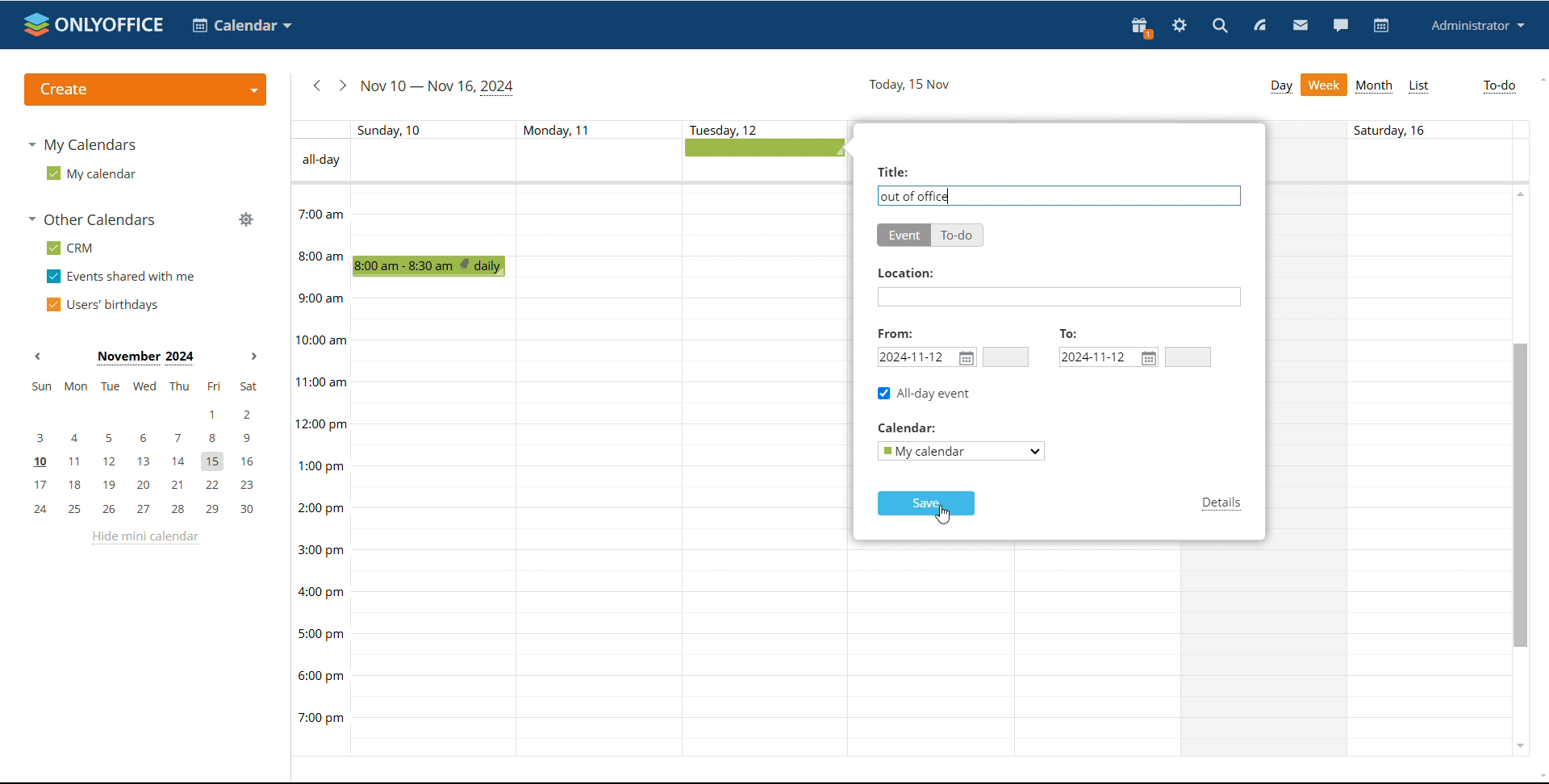 The height and width of the screenshot is (784, 1549). Describe the element at coordinates (906, 427) in the screenshot. I see `` at that location.